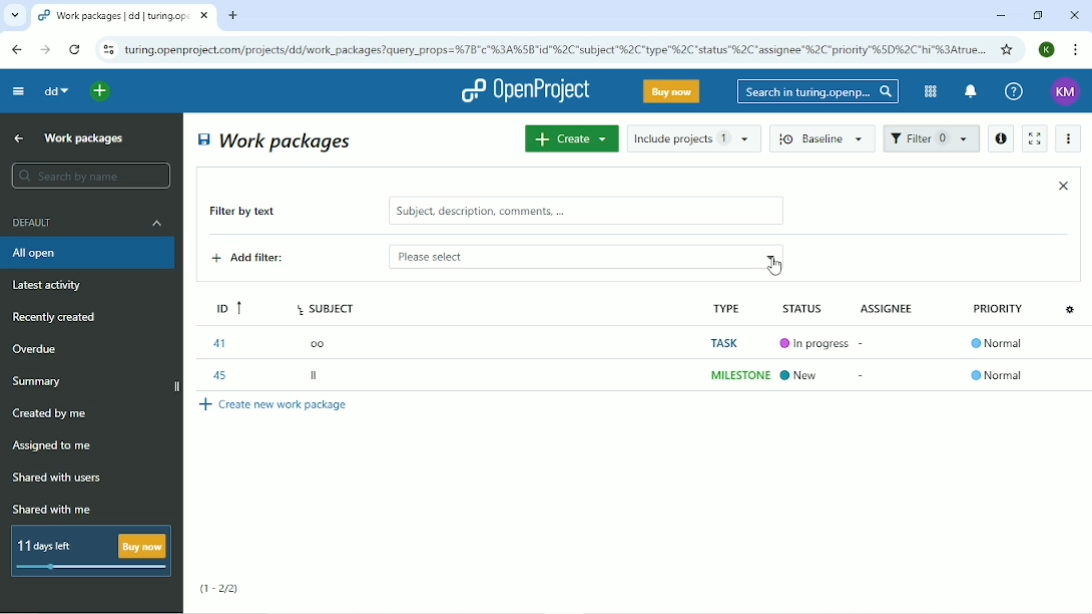 The height and width of the screenshot is (614, 1092). I want to click on subject, description, comments, so click(585, 211).